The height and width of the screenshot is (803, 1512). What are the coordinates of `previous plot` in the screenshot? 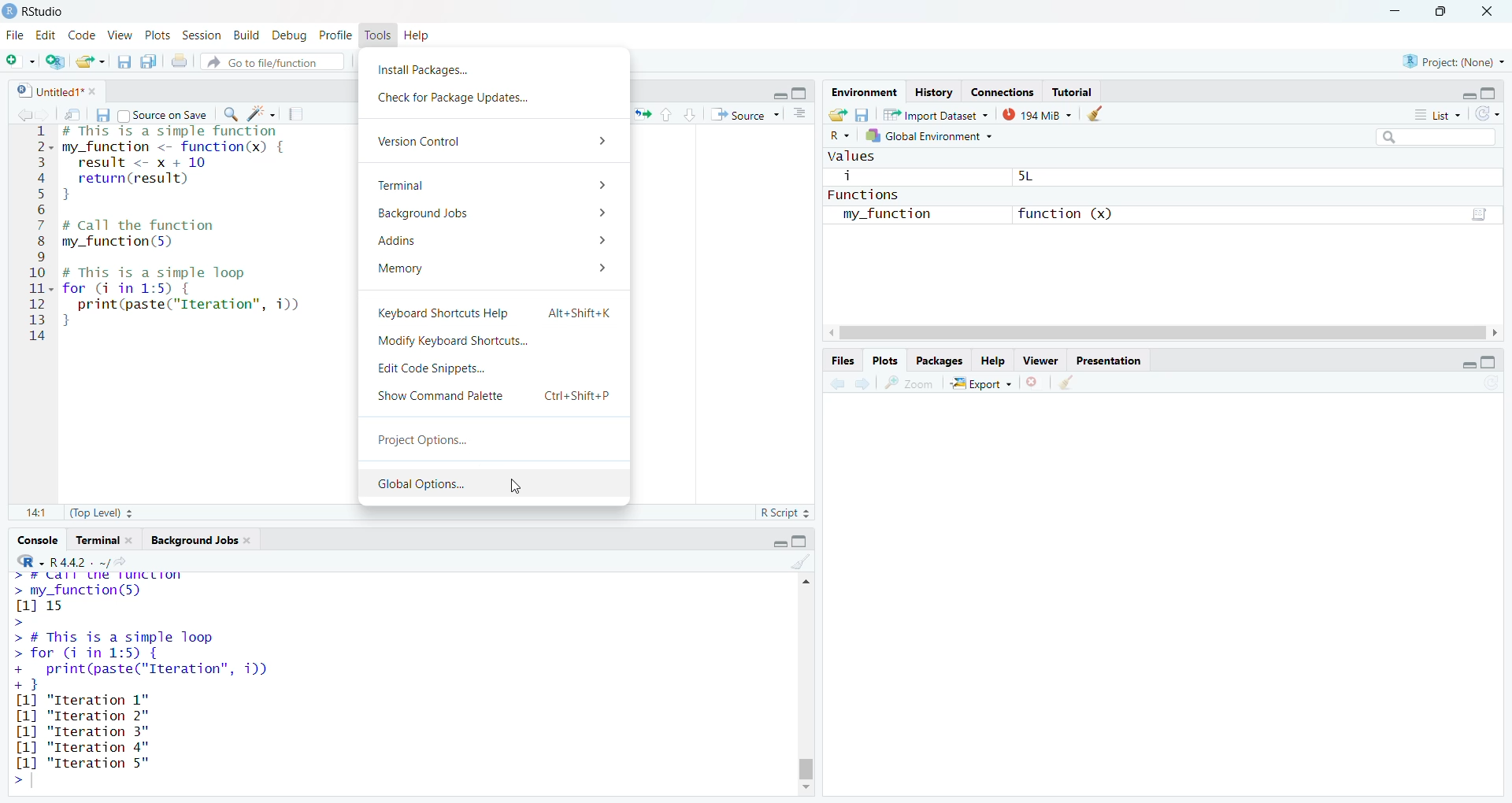 It's located at (833, 385).